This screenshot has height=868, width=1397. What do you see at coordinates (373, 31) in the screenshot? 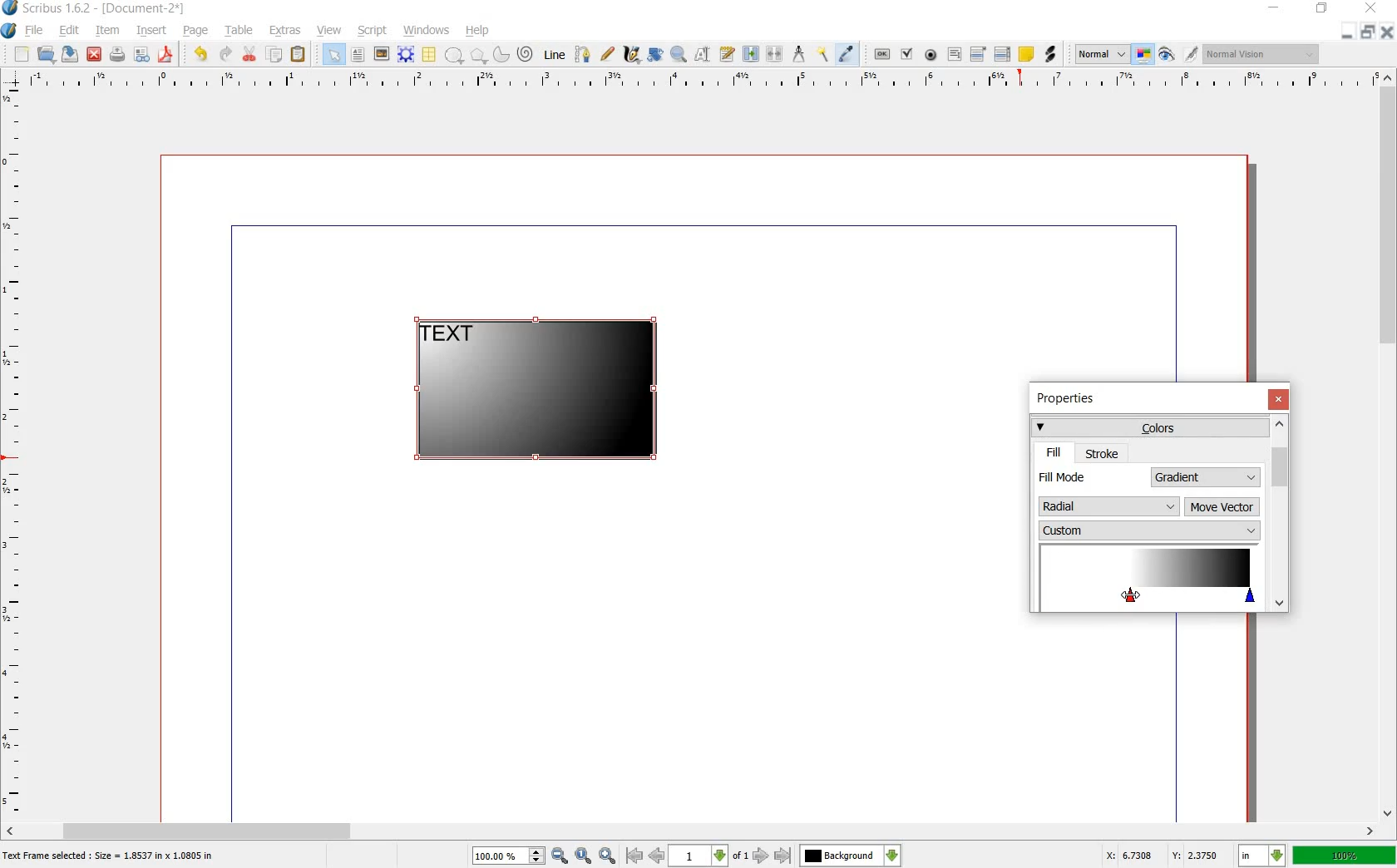
I see `script` at bounding box center [373, 31].